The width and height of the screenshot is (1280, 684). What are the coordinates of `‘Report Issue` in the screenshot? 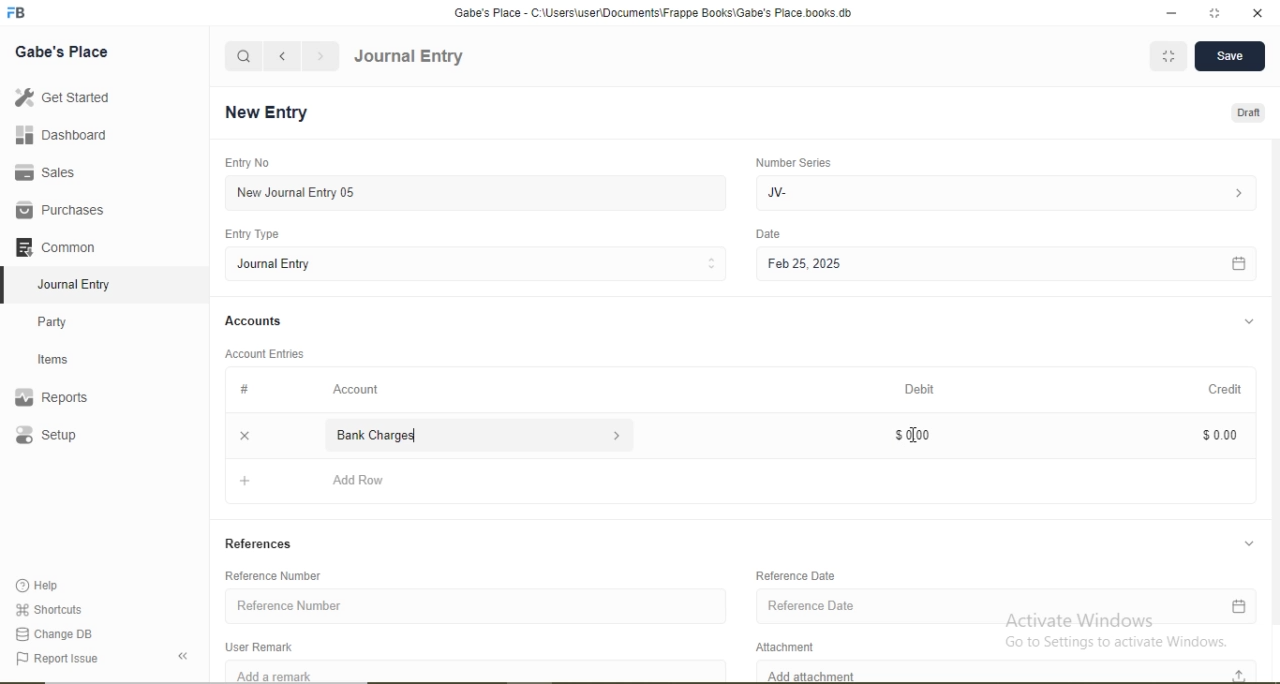 It's located at (78, 659).